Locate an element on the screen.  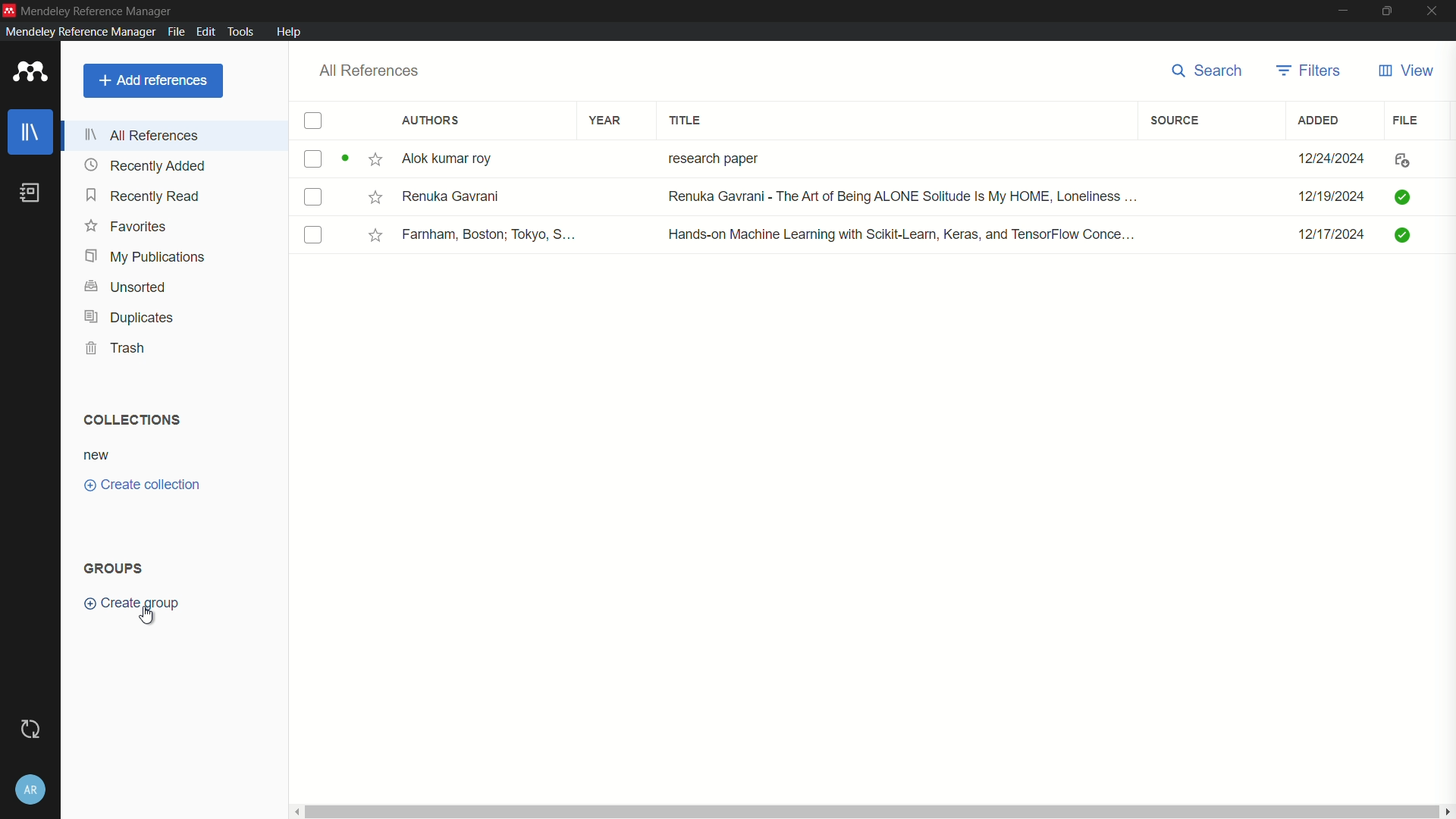
create group is located at coordinates (140, 603).